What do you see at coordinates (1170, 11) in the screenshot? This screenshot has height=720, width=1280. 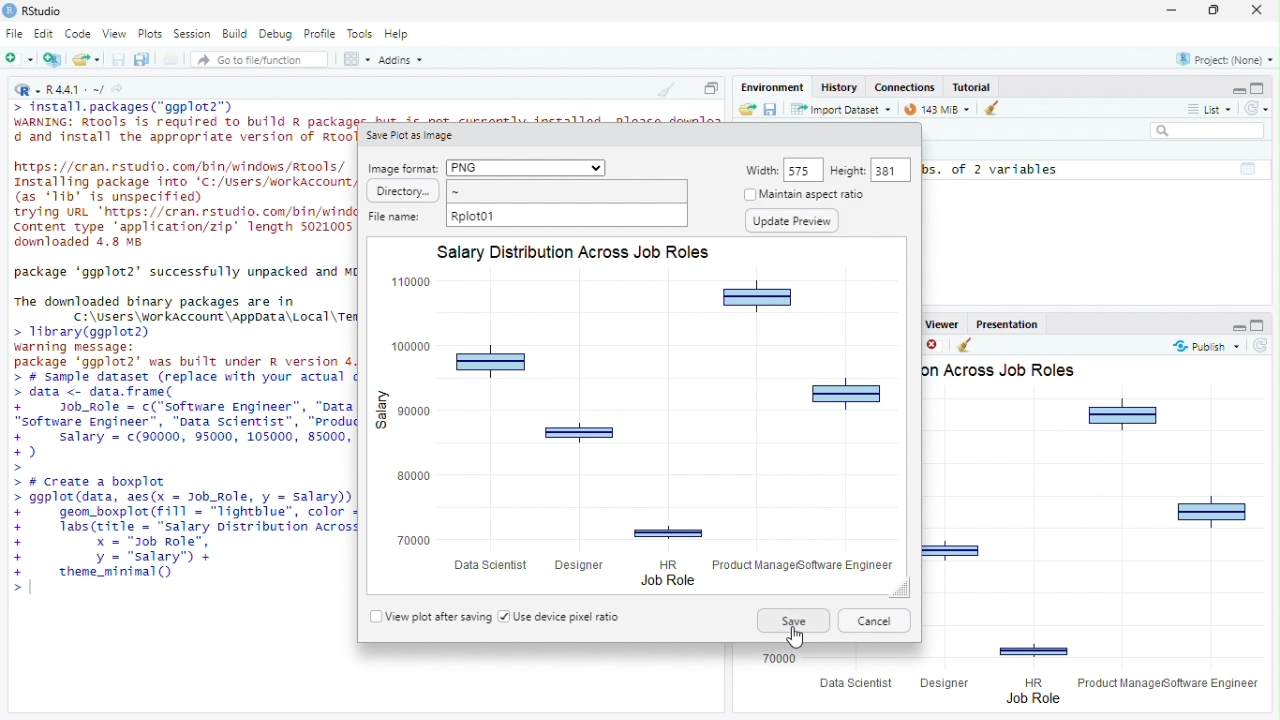 I see `Minimize` at bounding box center [1170, 11].